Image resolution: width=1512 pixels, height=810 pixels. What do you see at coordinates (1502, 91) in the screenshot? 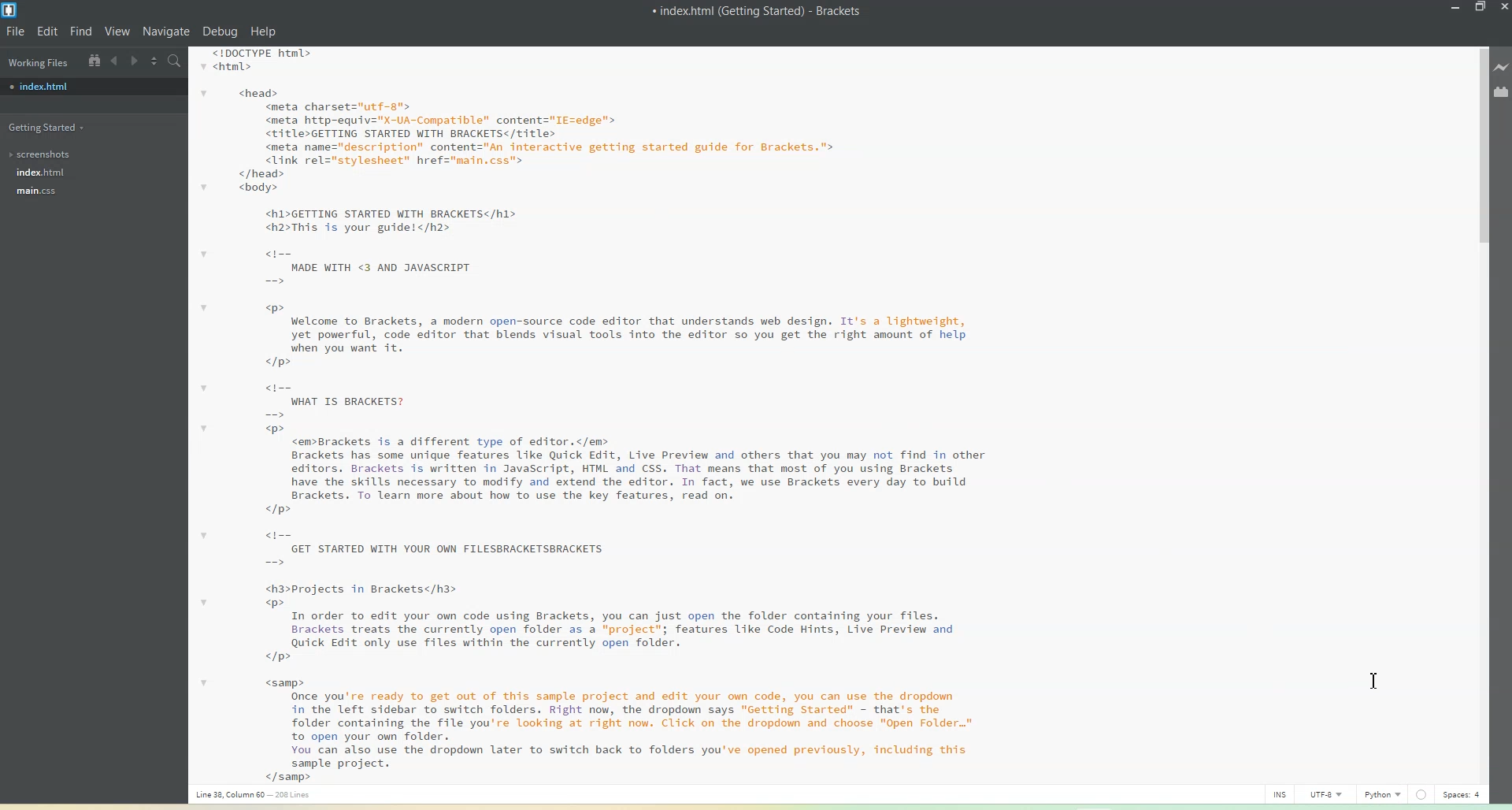
I see `Extensions manager` at bounding box center [1502, 91].